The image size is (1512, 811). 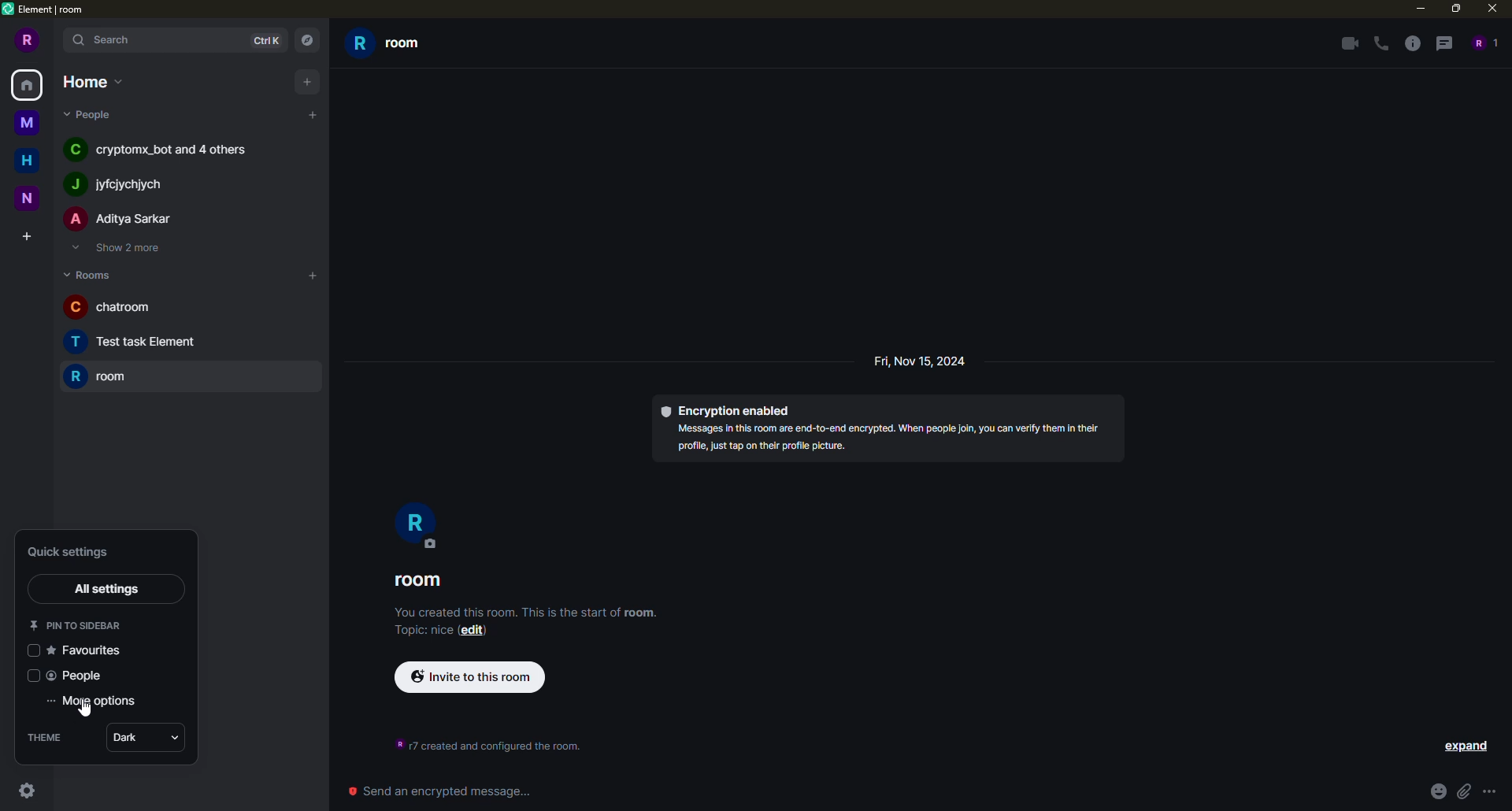 What do you see at coordinates (473, 676) in the screenshot?
I see `invite to this room` at bounding box center [473, 676].